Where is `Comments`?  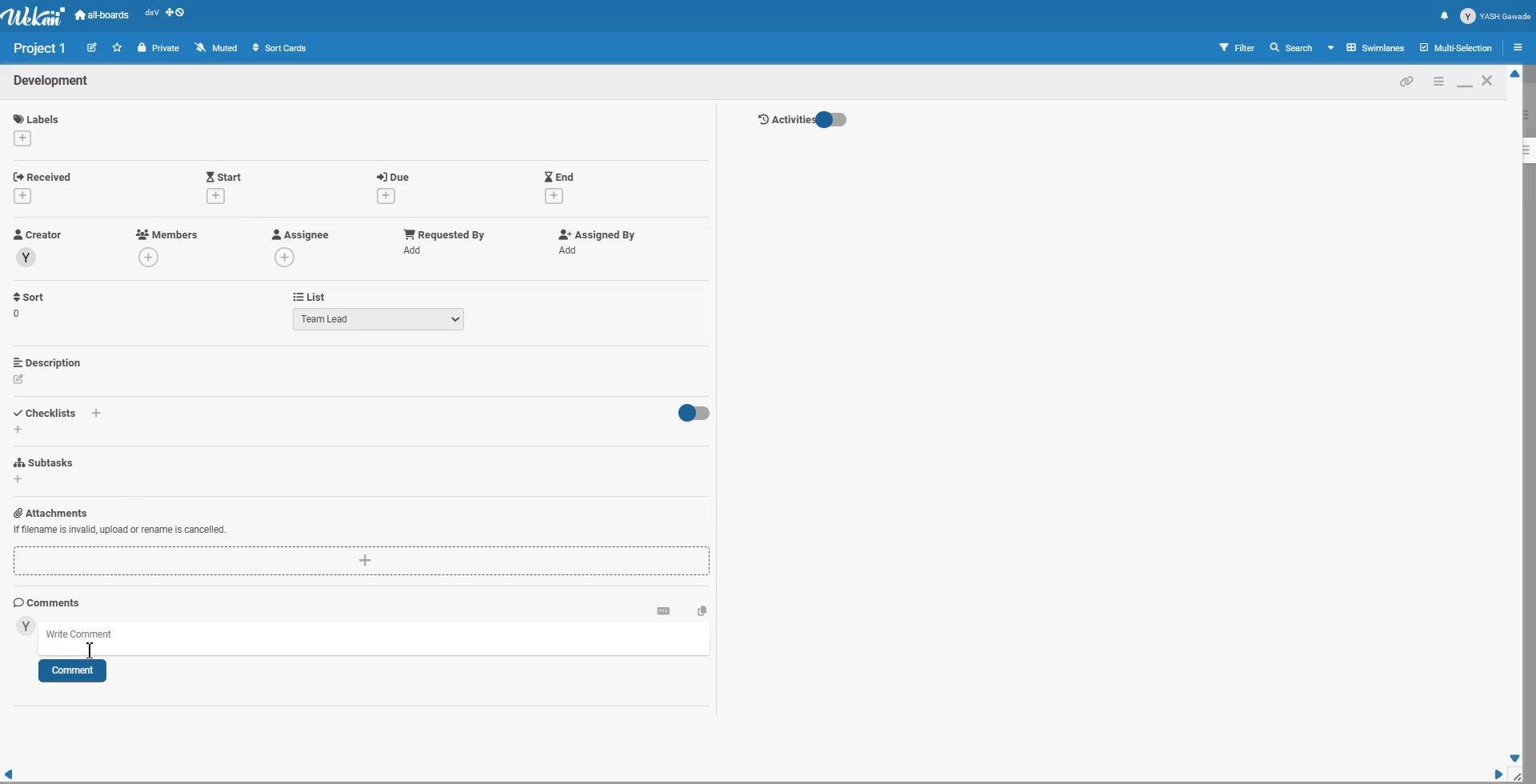
Comments is located at coordinates (47, 602).